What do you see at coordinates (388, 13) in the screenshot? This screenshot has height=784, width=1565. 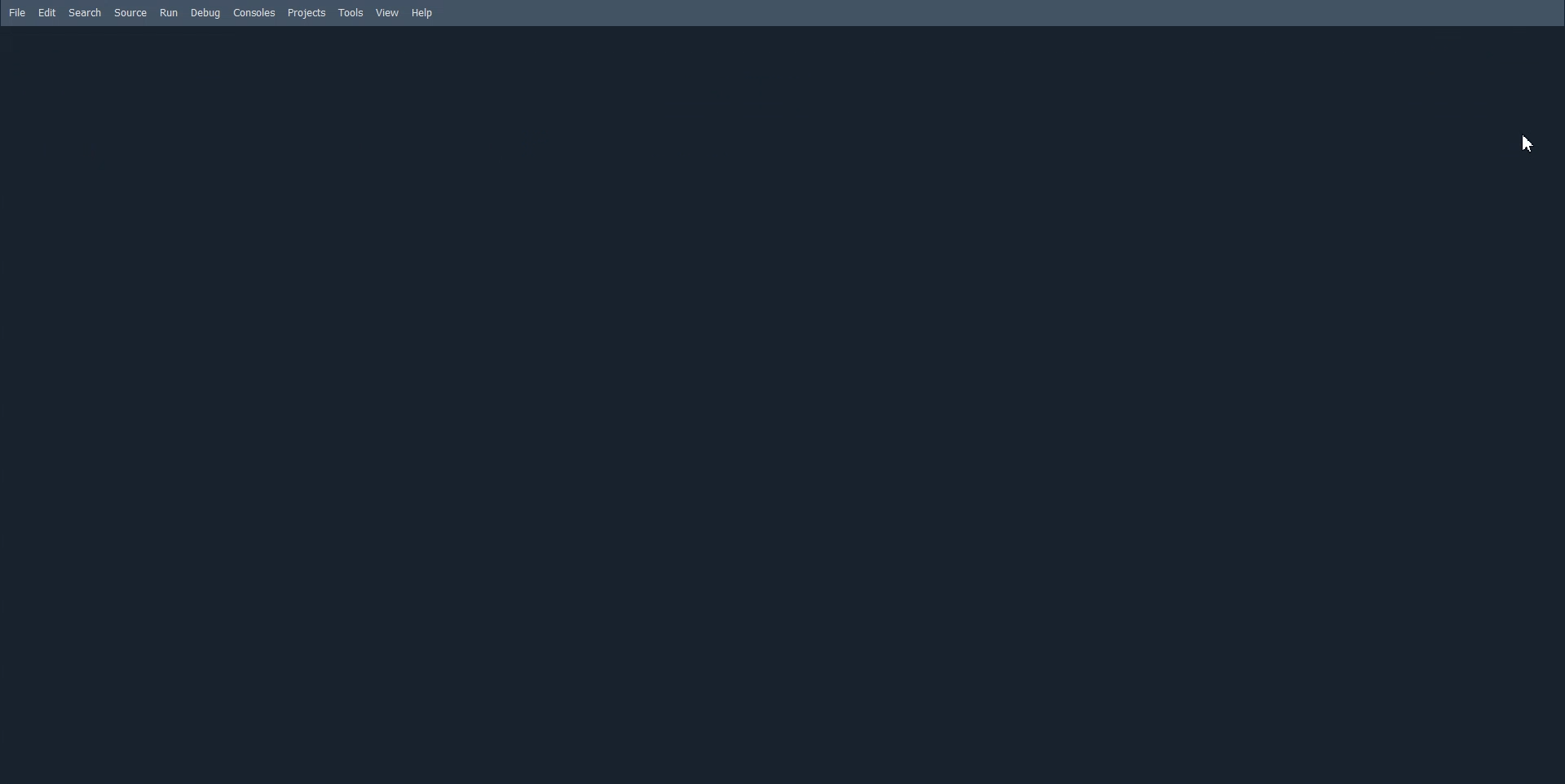 I see `View` at bounding box center [388, 13].